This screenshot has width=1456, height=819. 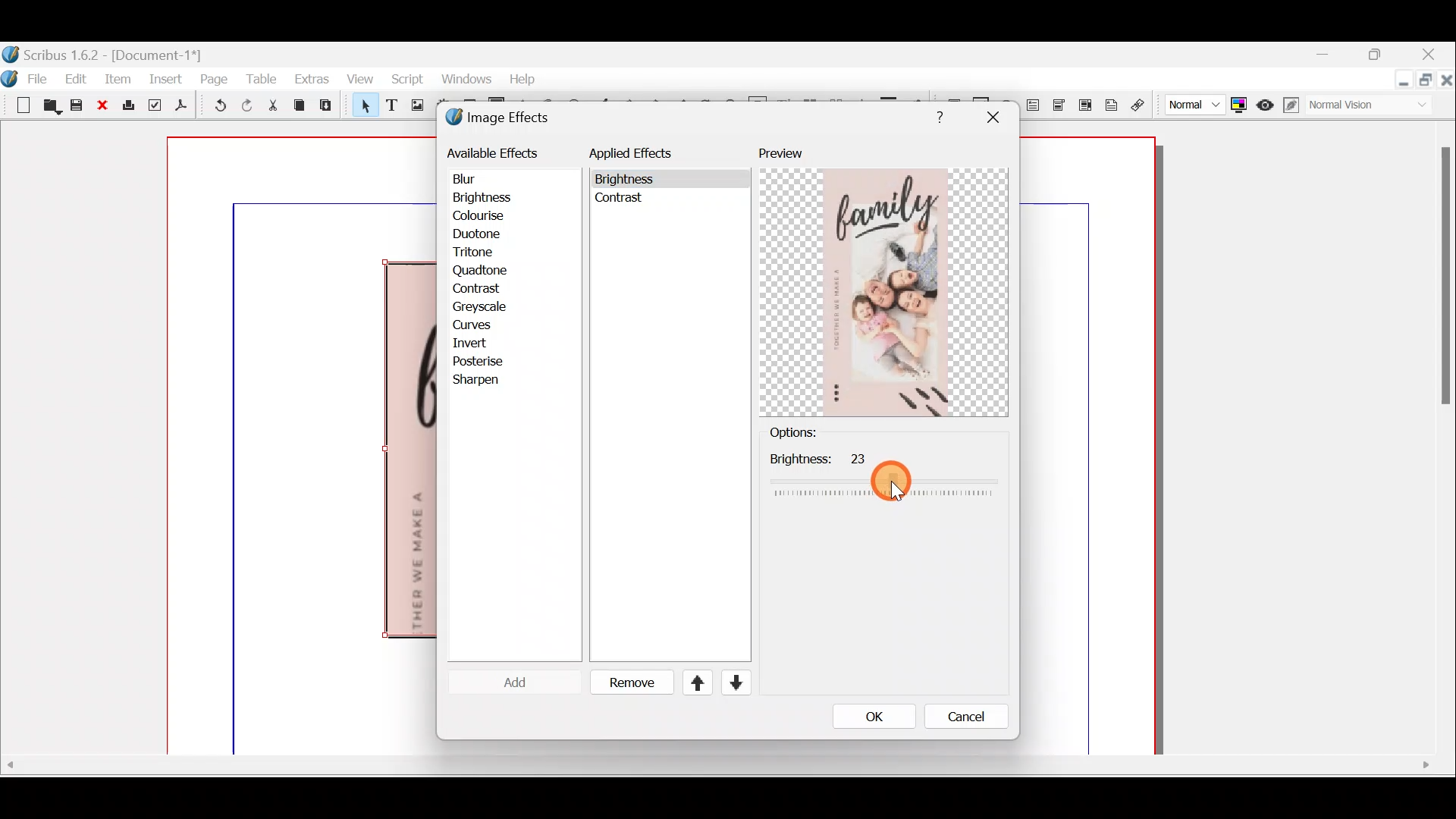 What do you see at coordinates (359, 79) in the screenshot?
I see `View` at bounding box center [359, 79].